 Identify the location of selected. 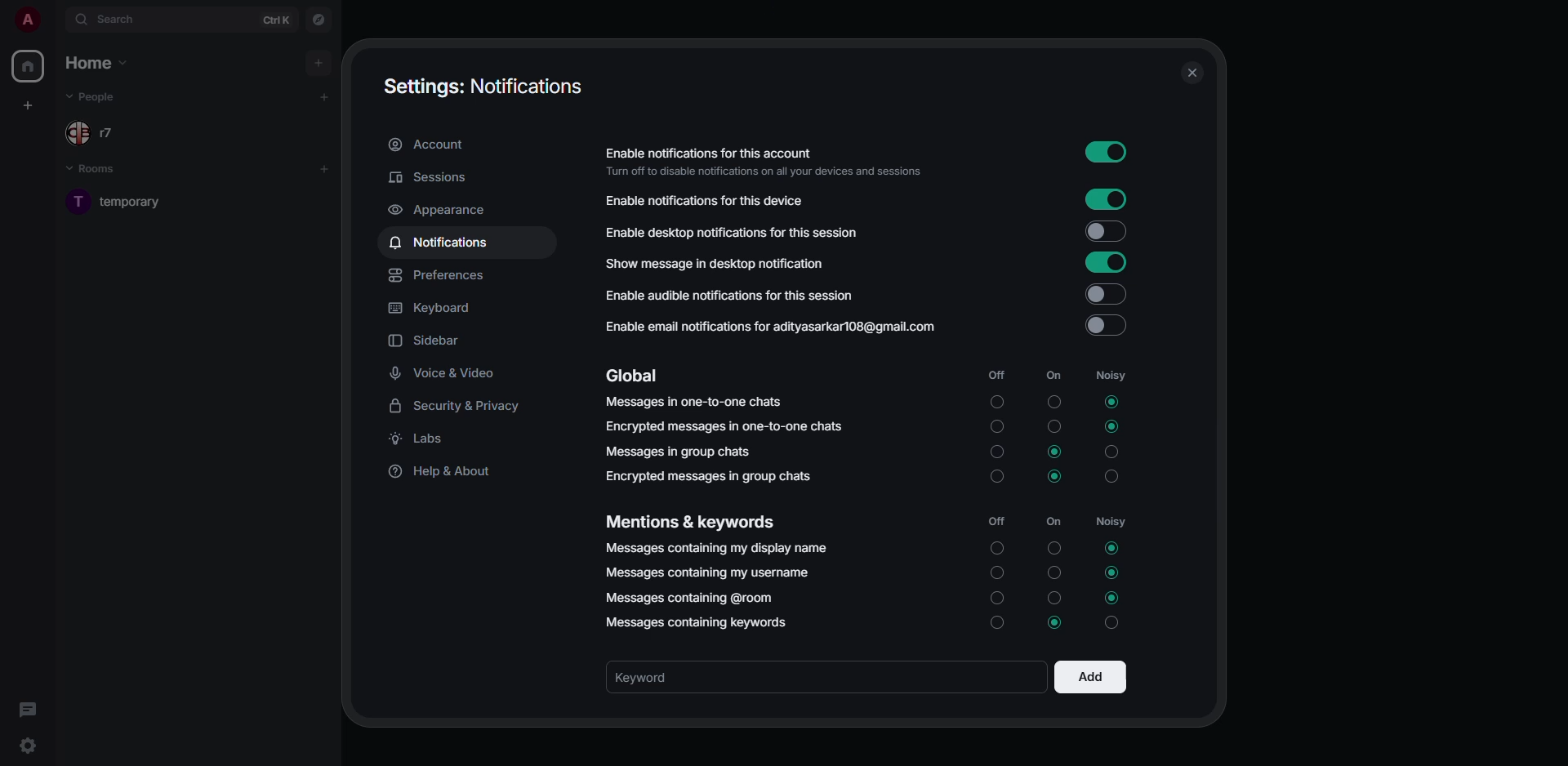
(1112, 402).